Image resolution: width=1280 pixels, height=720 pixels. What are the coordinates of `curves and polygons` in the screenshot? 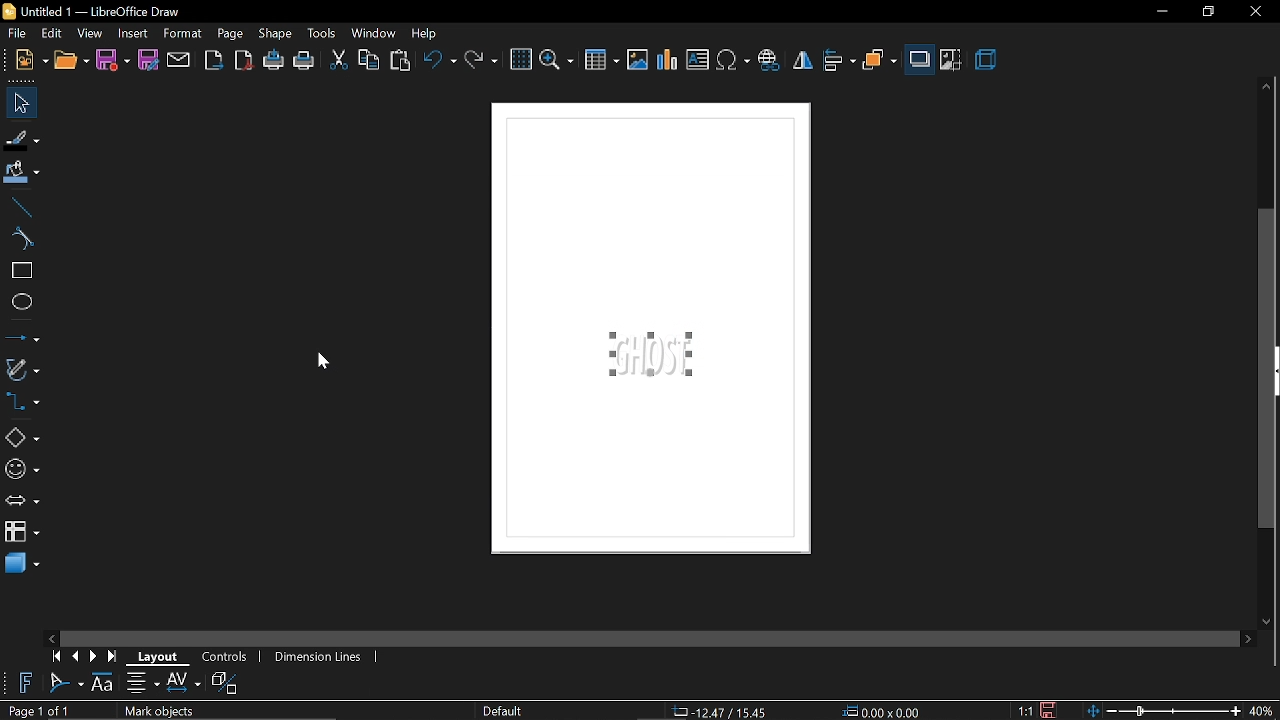 It's located at (22, 368).